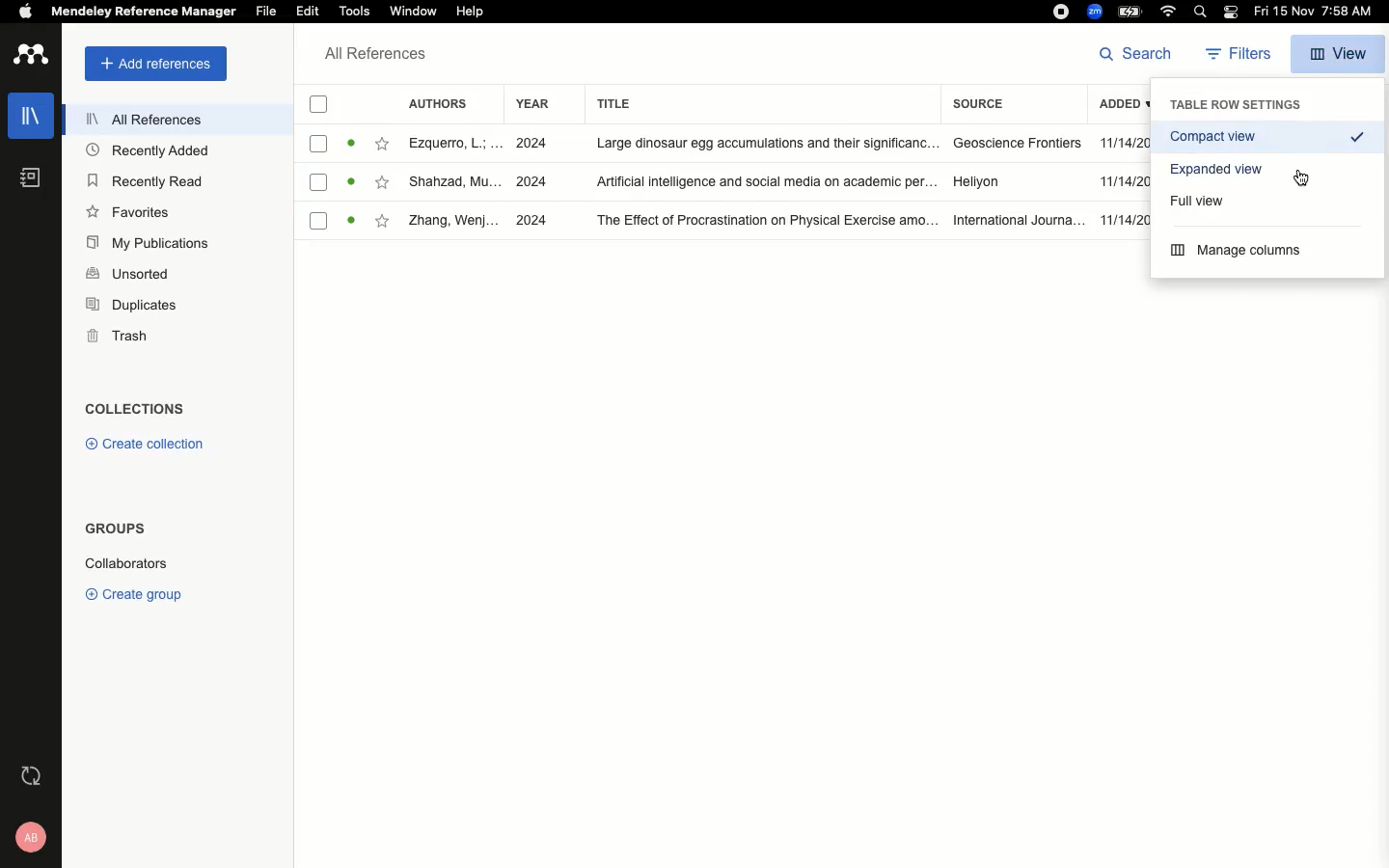 The height and width of the screenshot is (868, 1389). Describe the element at coordinates (1301, 178) in the screenshot. I see `click` at that location.